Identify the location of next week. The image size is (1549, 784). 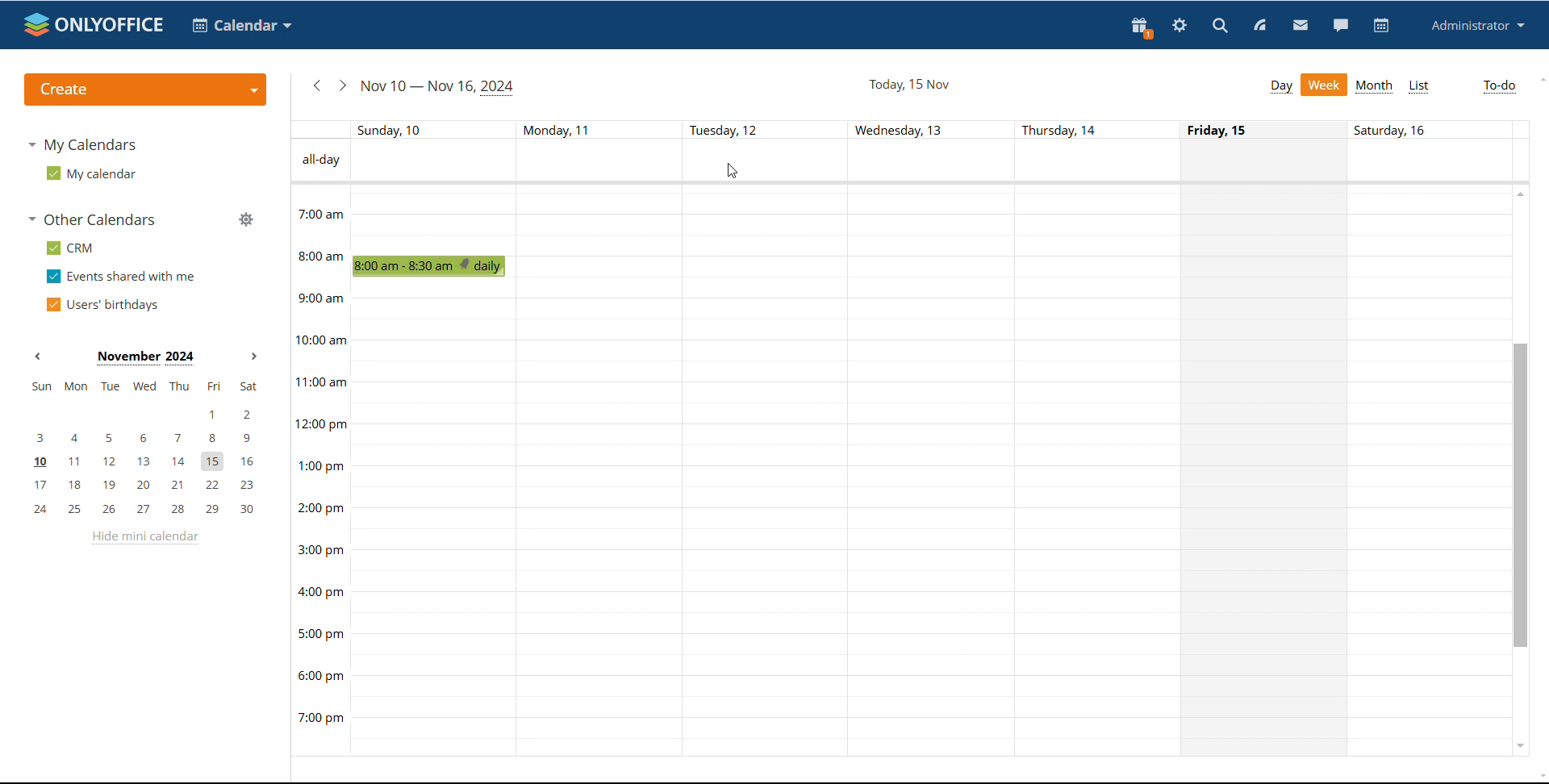
(341, 86).